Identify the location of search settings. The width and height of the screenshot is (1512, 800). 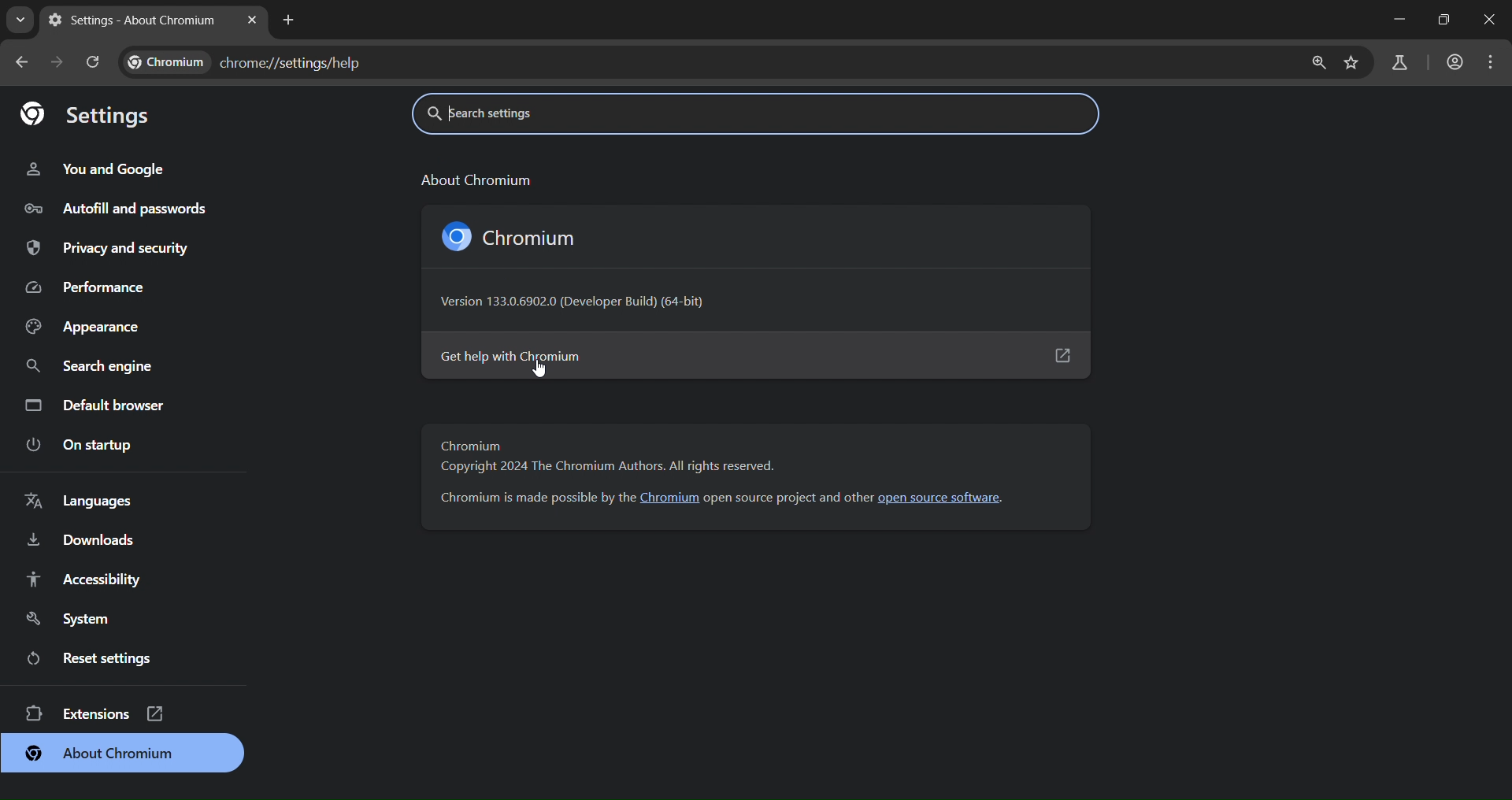
(597, 112).